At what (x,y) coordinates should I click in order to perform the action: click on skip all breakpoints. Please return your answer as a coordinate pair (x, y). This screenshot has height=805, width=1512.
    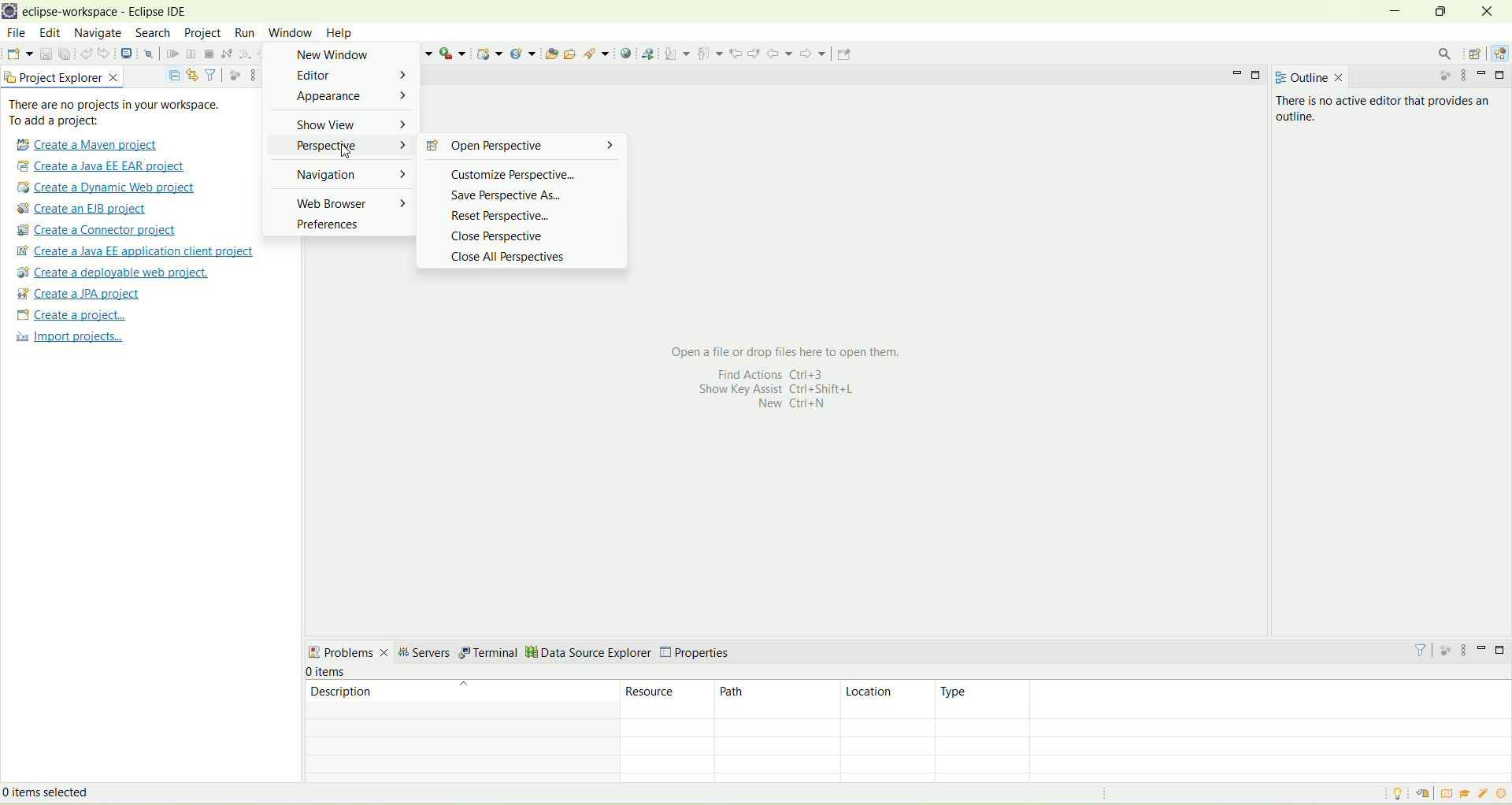
    Looking at the image, I should click on (148, 55).